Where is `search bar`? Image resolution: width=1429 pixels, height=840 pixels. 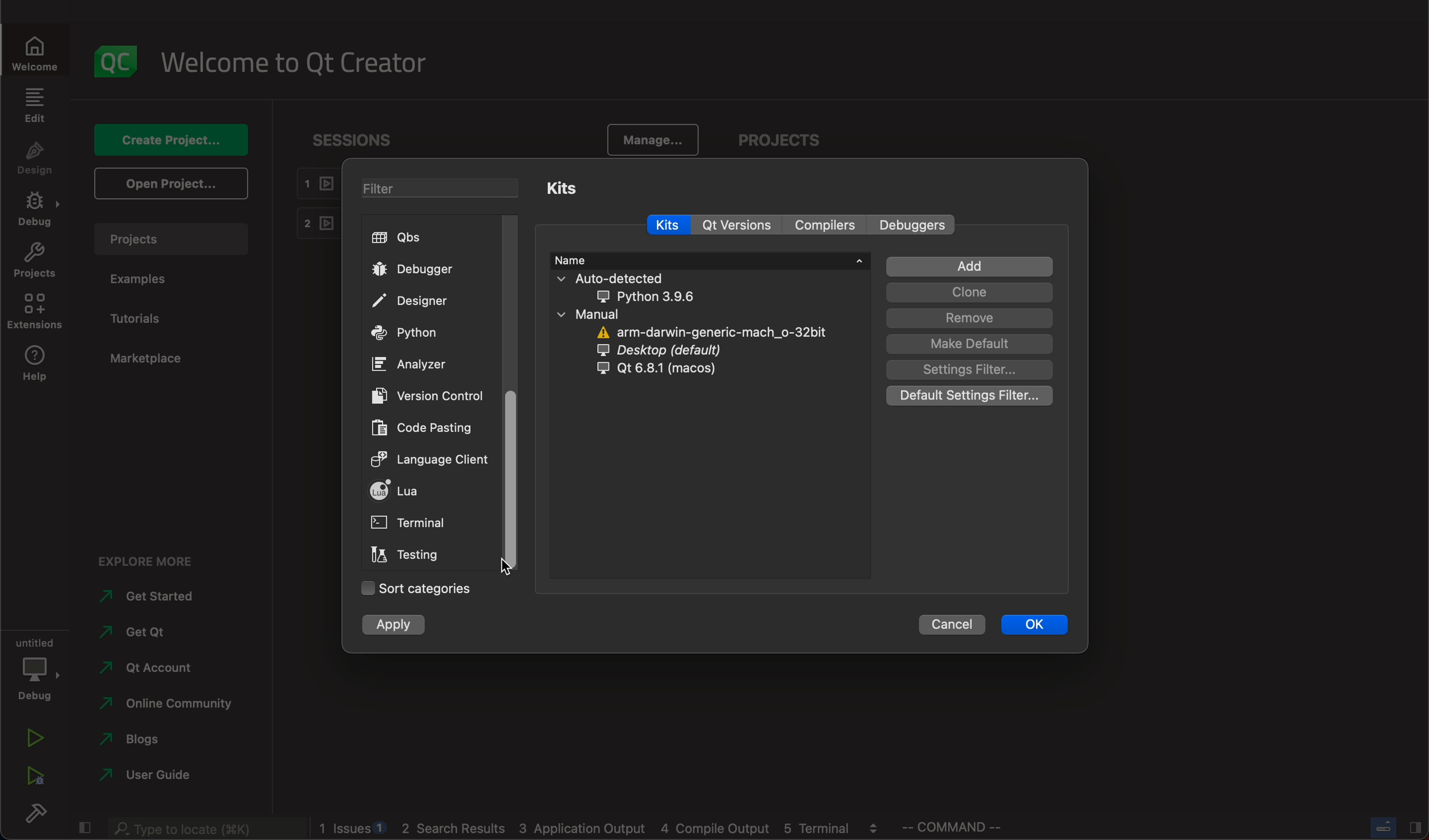 search bar is located at coordinates (202, 829).